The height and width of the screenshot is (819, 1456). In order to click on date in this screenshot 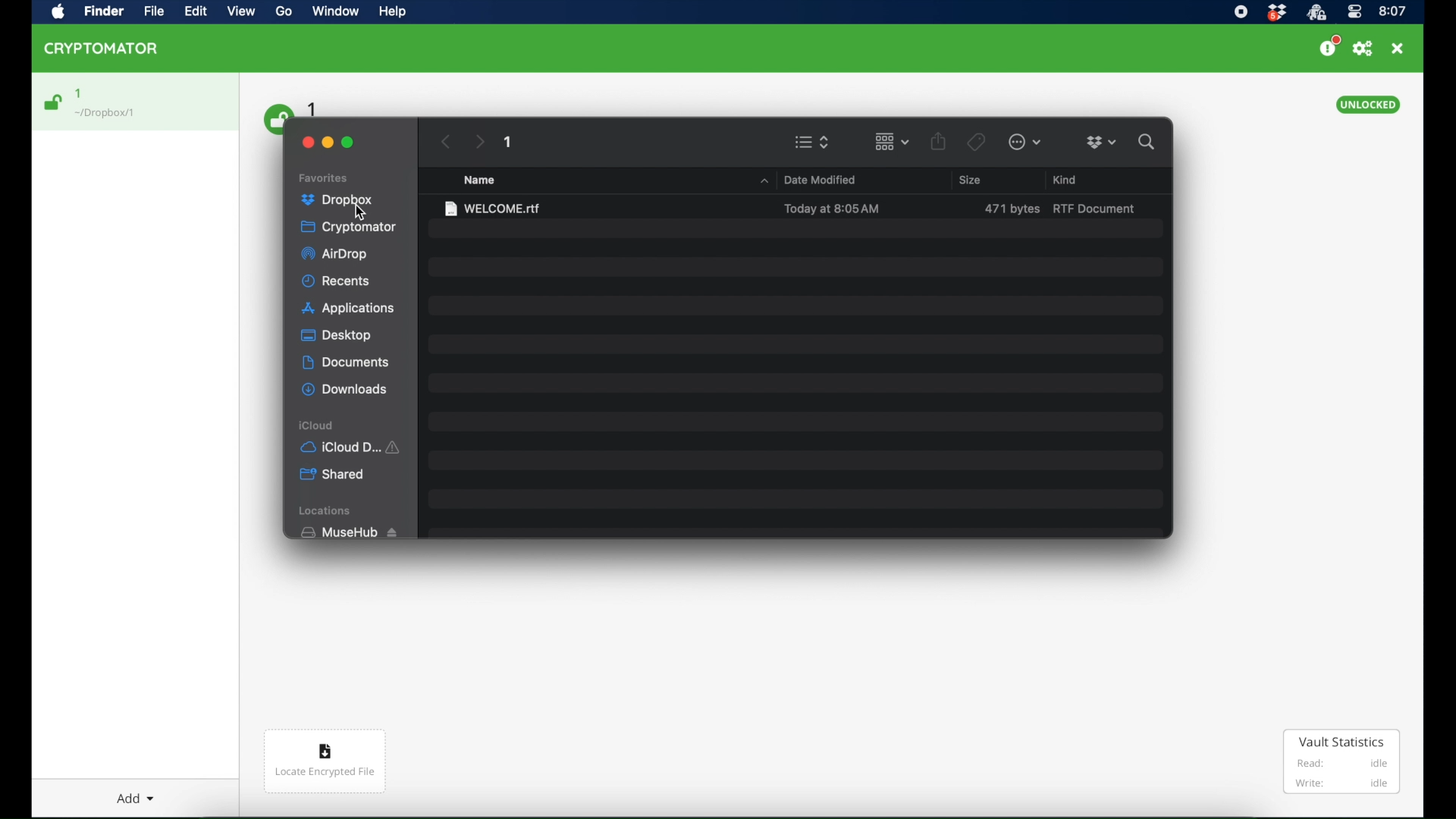, I will do `click(834, 209)`.